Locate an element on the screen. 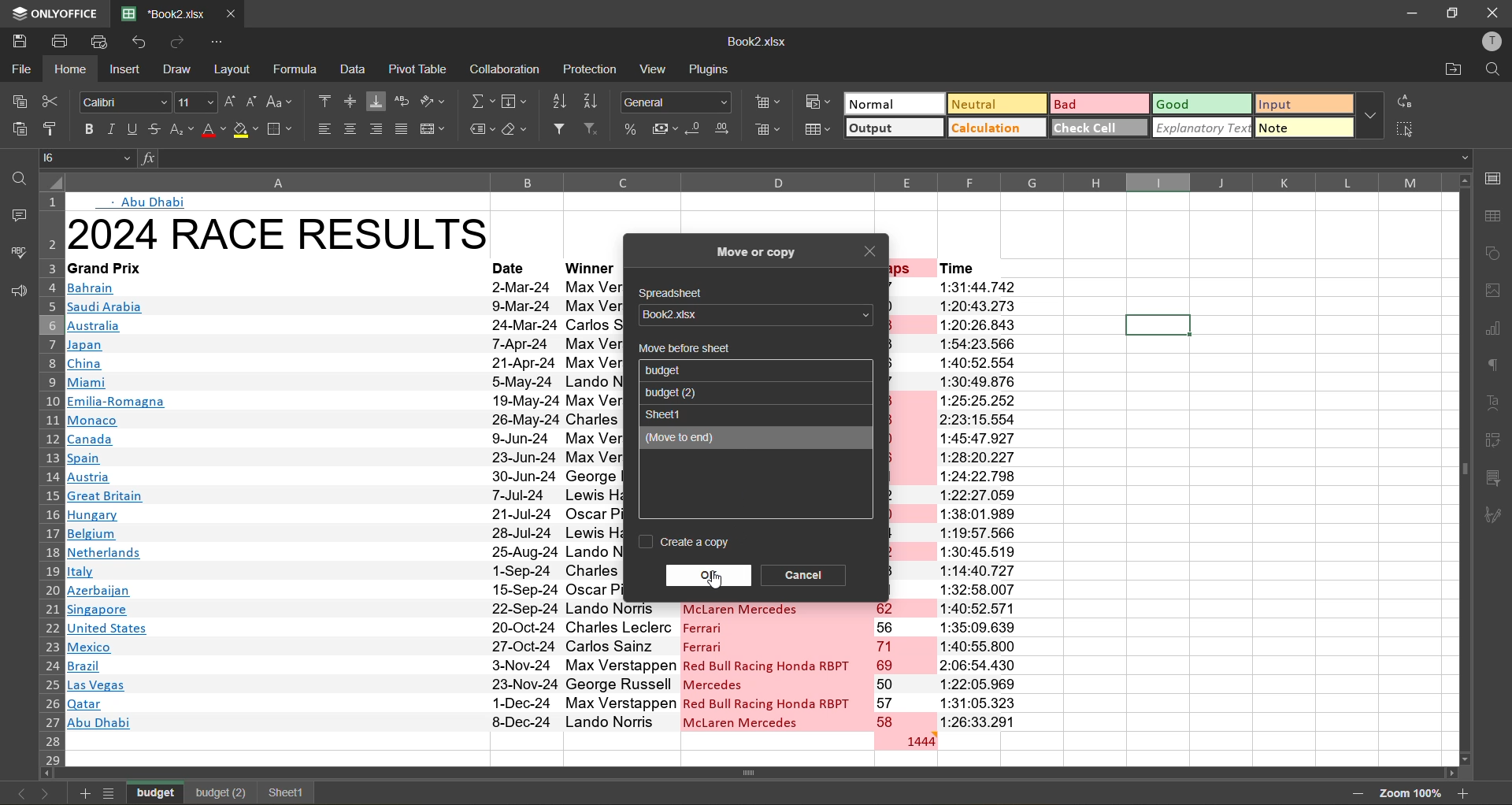 This screenshot has width=1512, height=805. decrease decimal is located at coordinates (696, 129).